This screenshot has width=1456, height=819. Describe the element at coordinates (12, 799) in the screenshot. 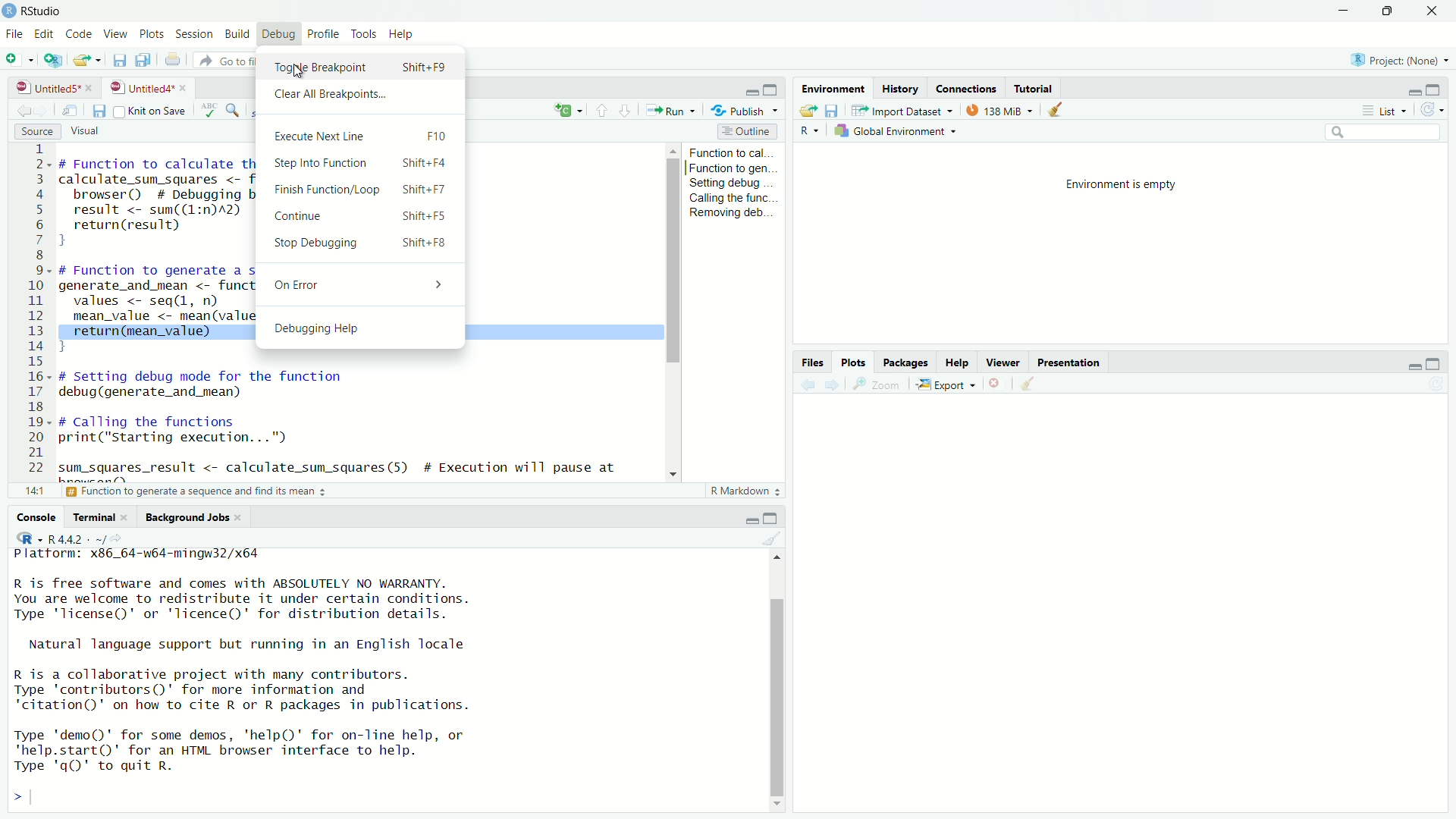

I see `prompt cursor` at that location.